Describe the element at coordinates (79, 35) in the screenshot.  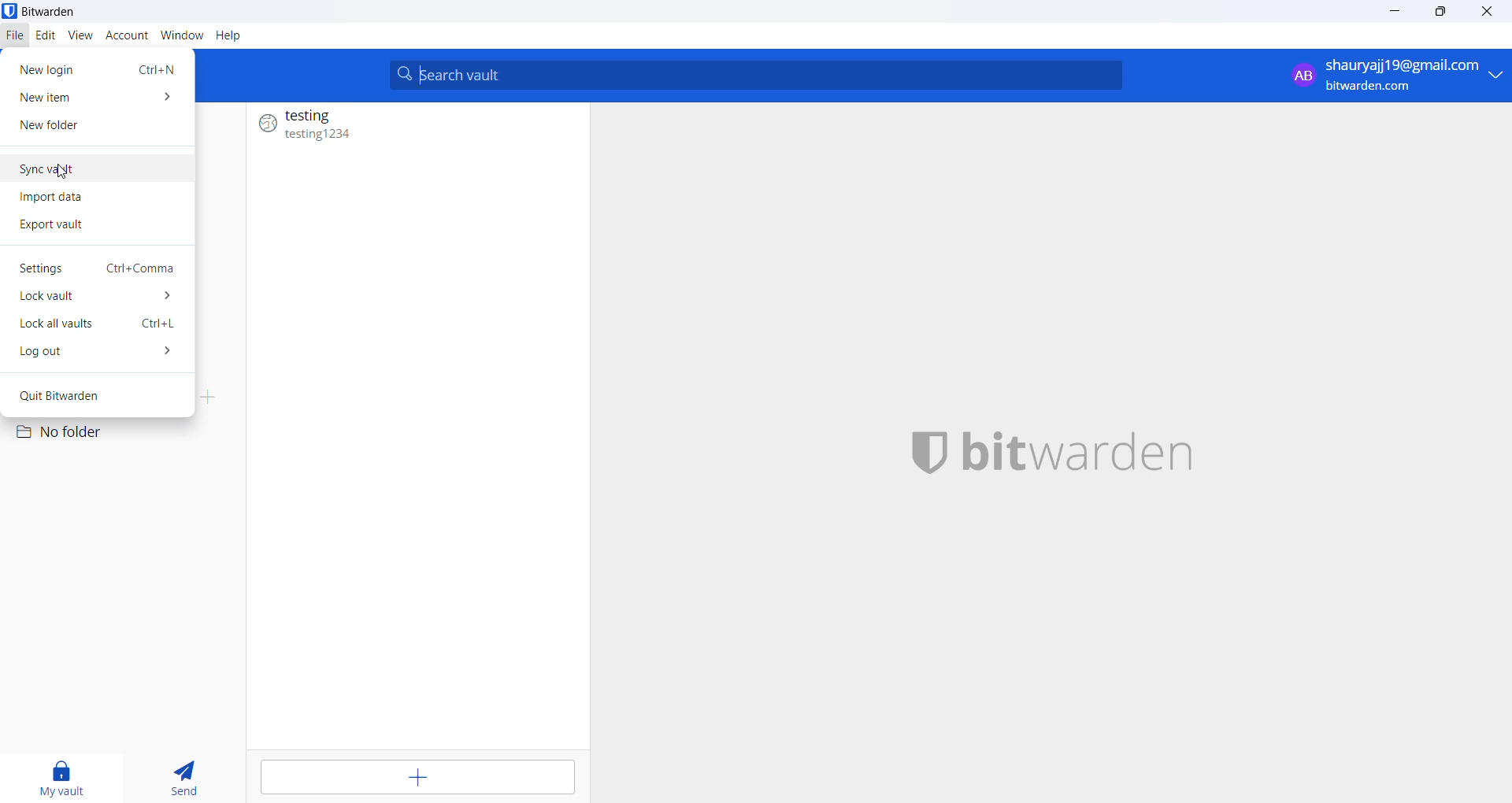
I see `view` at that location.